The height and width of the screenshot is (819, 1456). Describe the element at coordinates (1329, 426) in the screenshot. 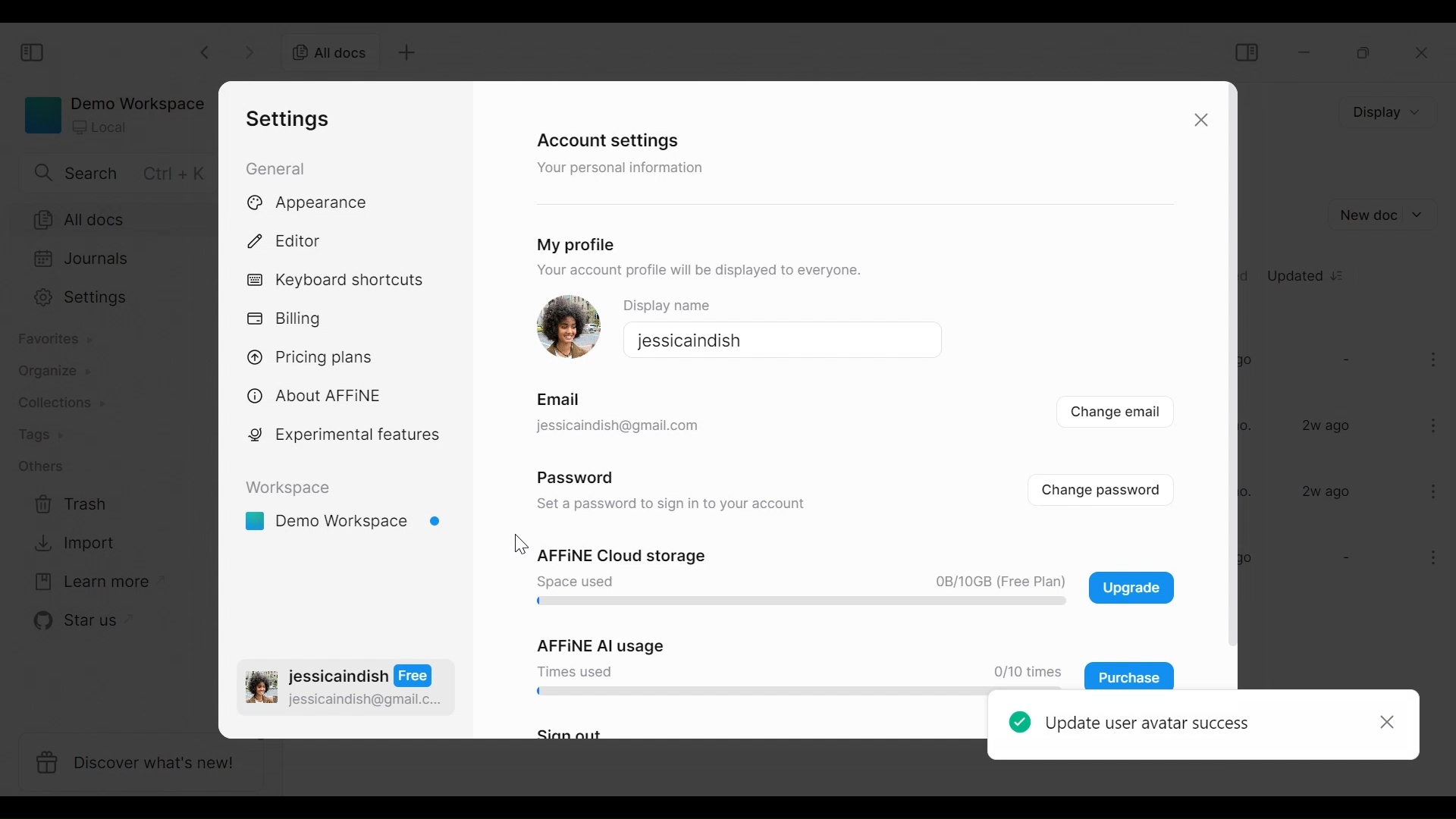

I see `2w ago` at that location.